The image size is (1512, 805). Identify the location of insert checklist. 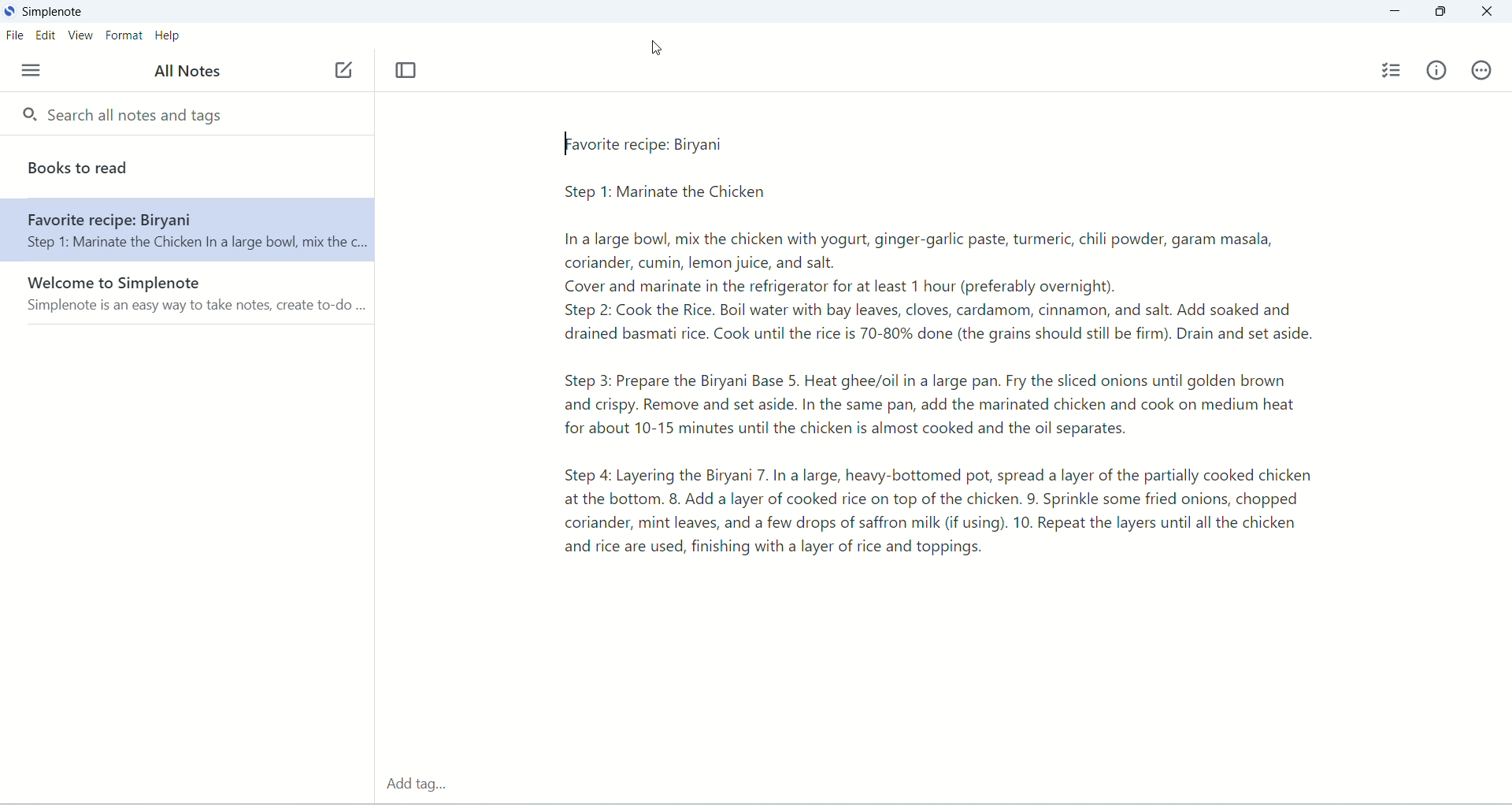
(1393, 71).